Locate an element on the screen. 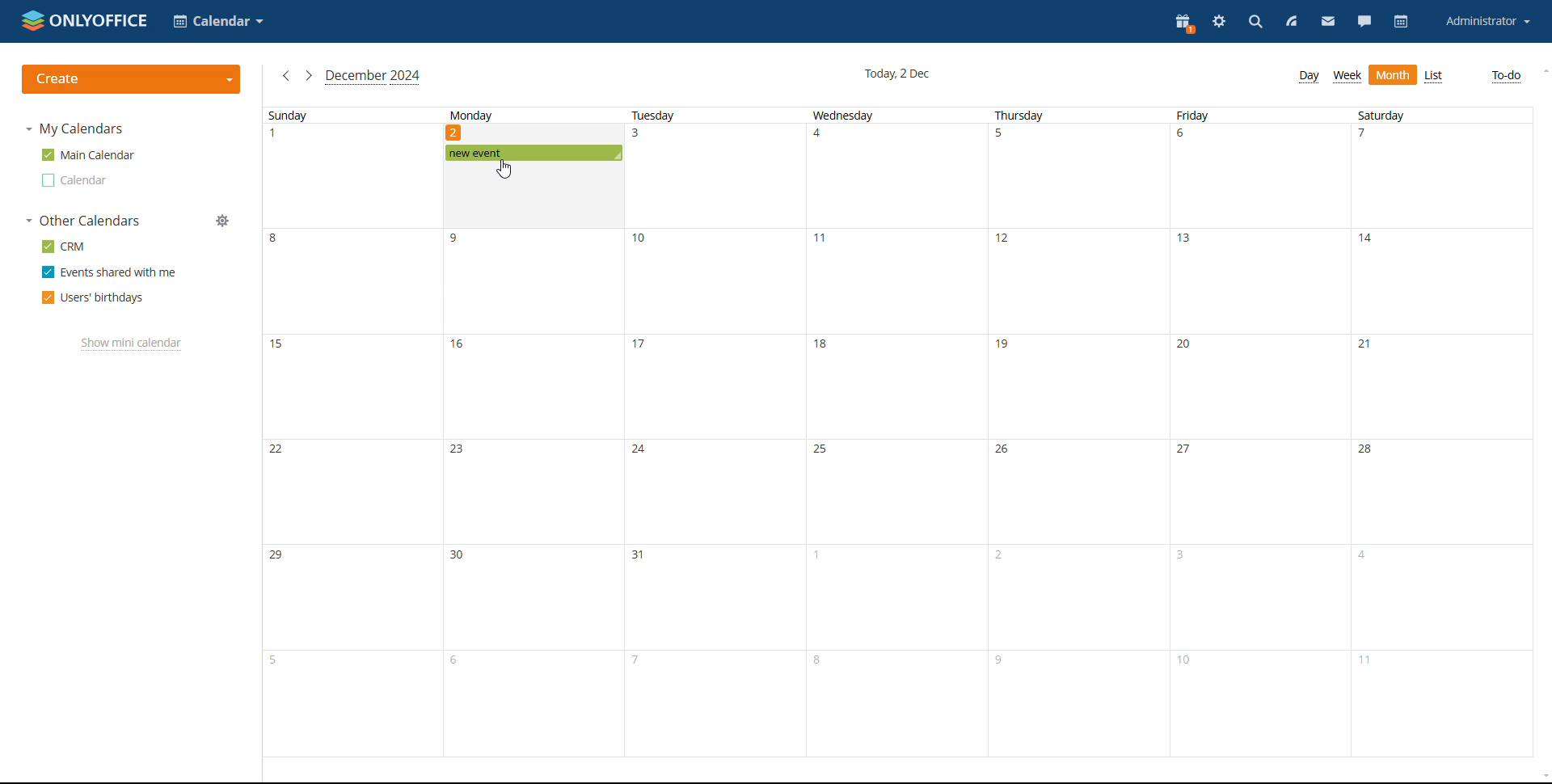 This screenshot has height=784, width=1552. select application is located at coordinates (218, 22).